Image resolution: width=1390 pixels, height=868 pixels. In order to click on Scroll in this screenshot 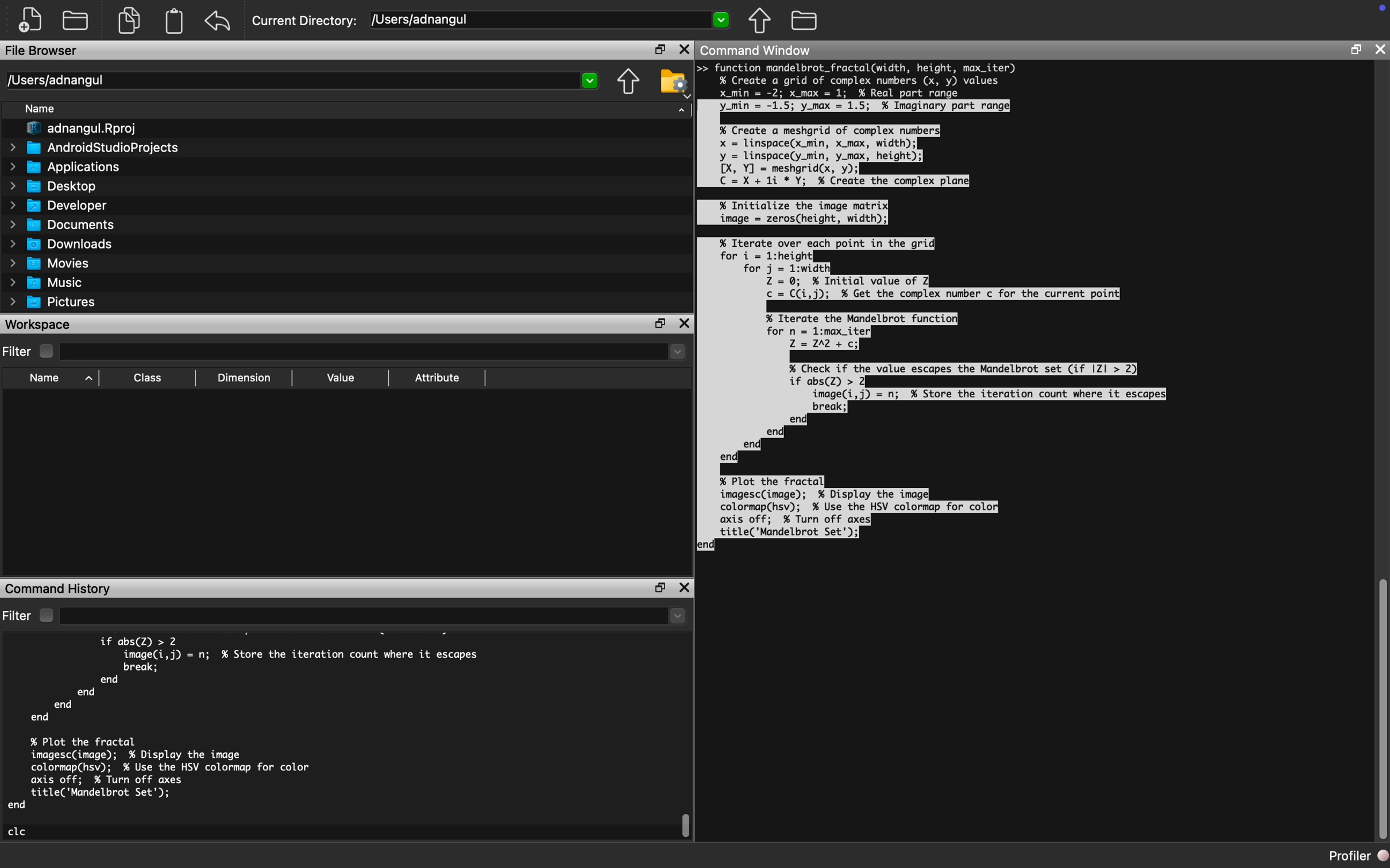, I will do `click(1380, 708)`.